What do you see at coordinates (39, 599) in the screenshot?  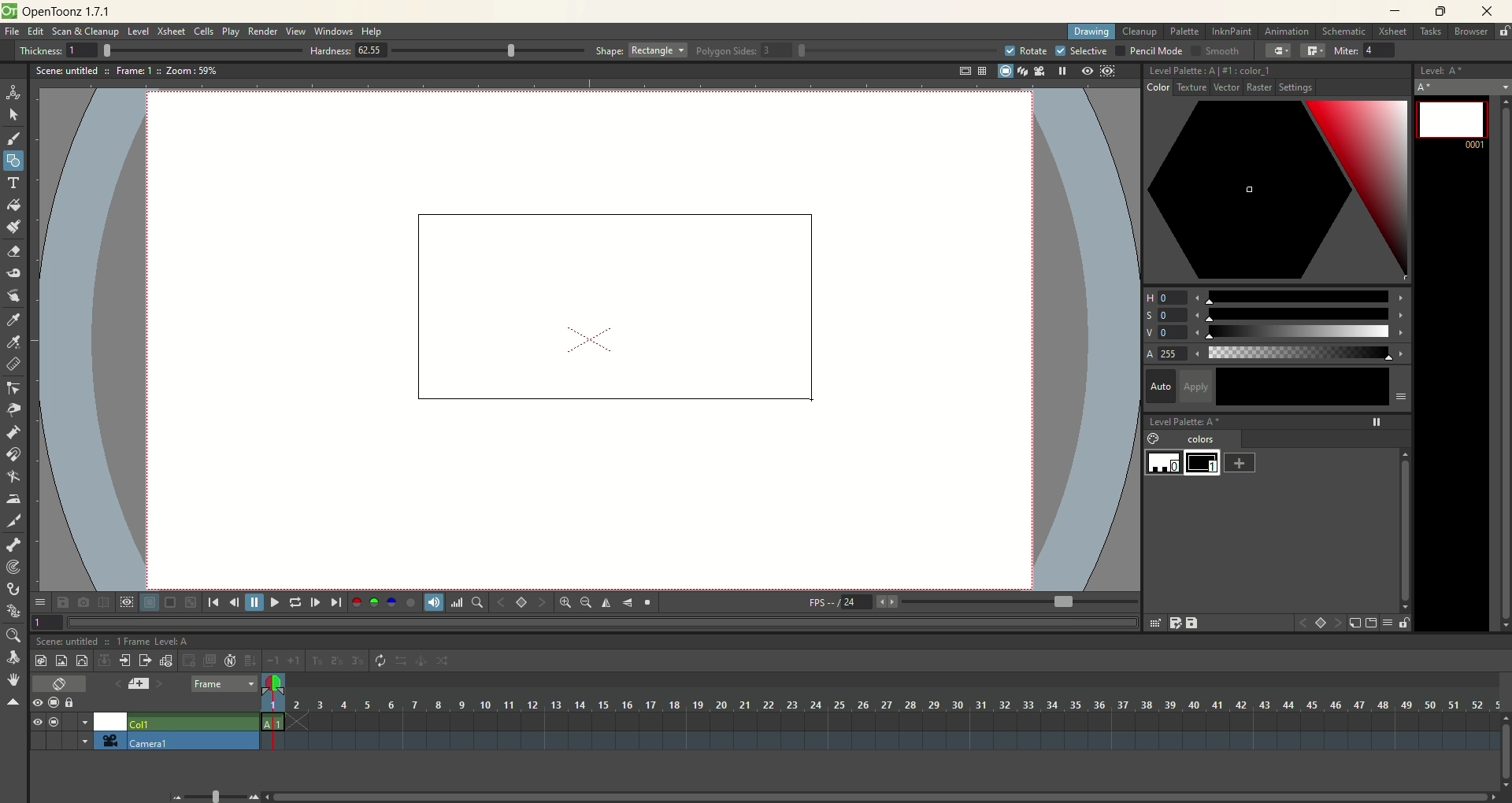 I see `options` at bounding box center [39, 599].